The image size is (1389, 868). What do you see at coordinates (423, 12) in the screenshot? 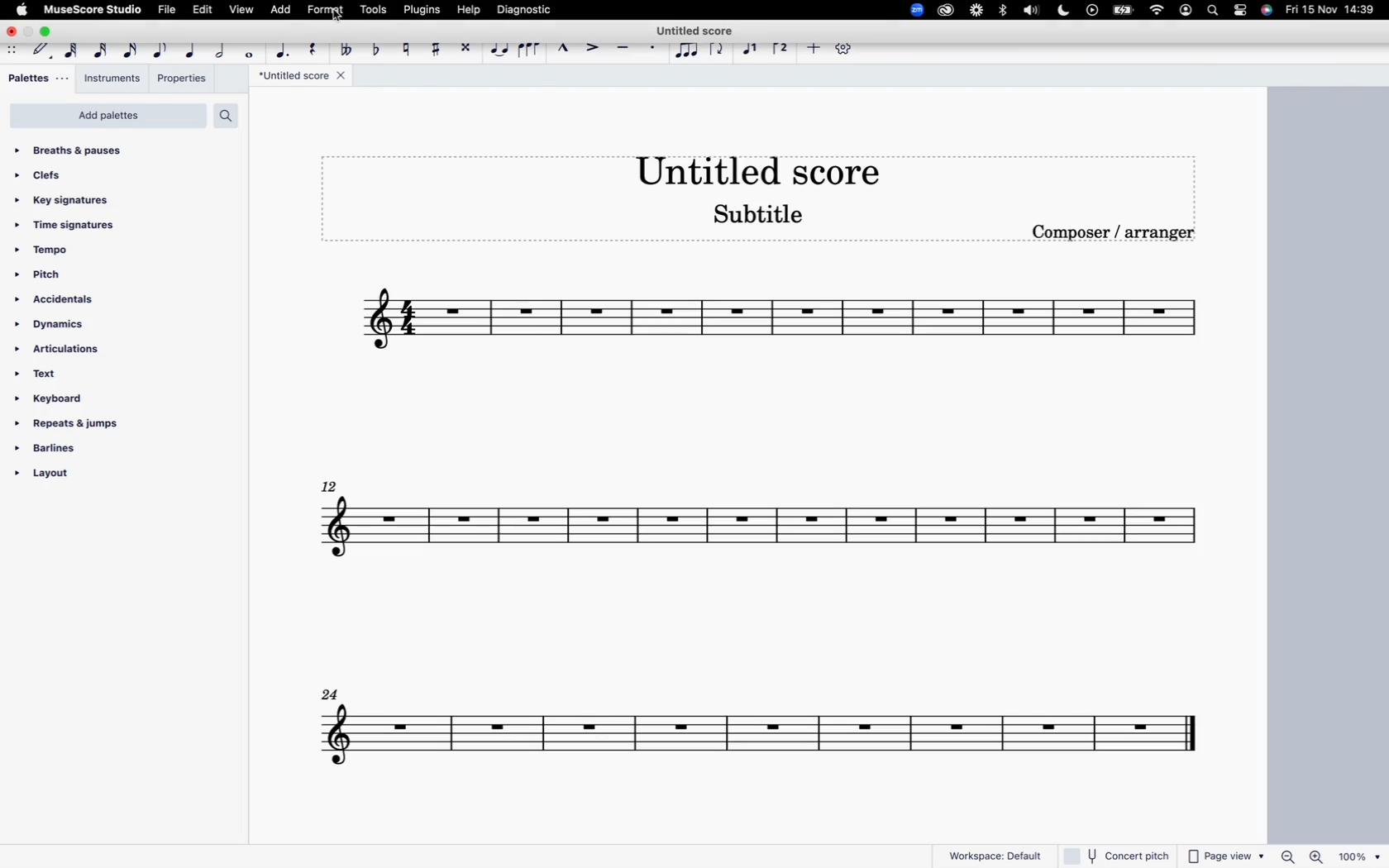
I see `plugins` at bounding box center [423, 12].